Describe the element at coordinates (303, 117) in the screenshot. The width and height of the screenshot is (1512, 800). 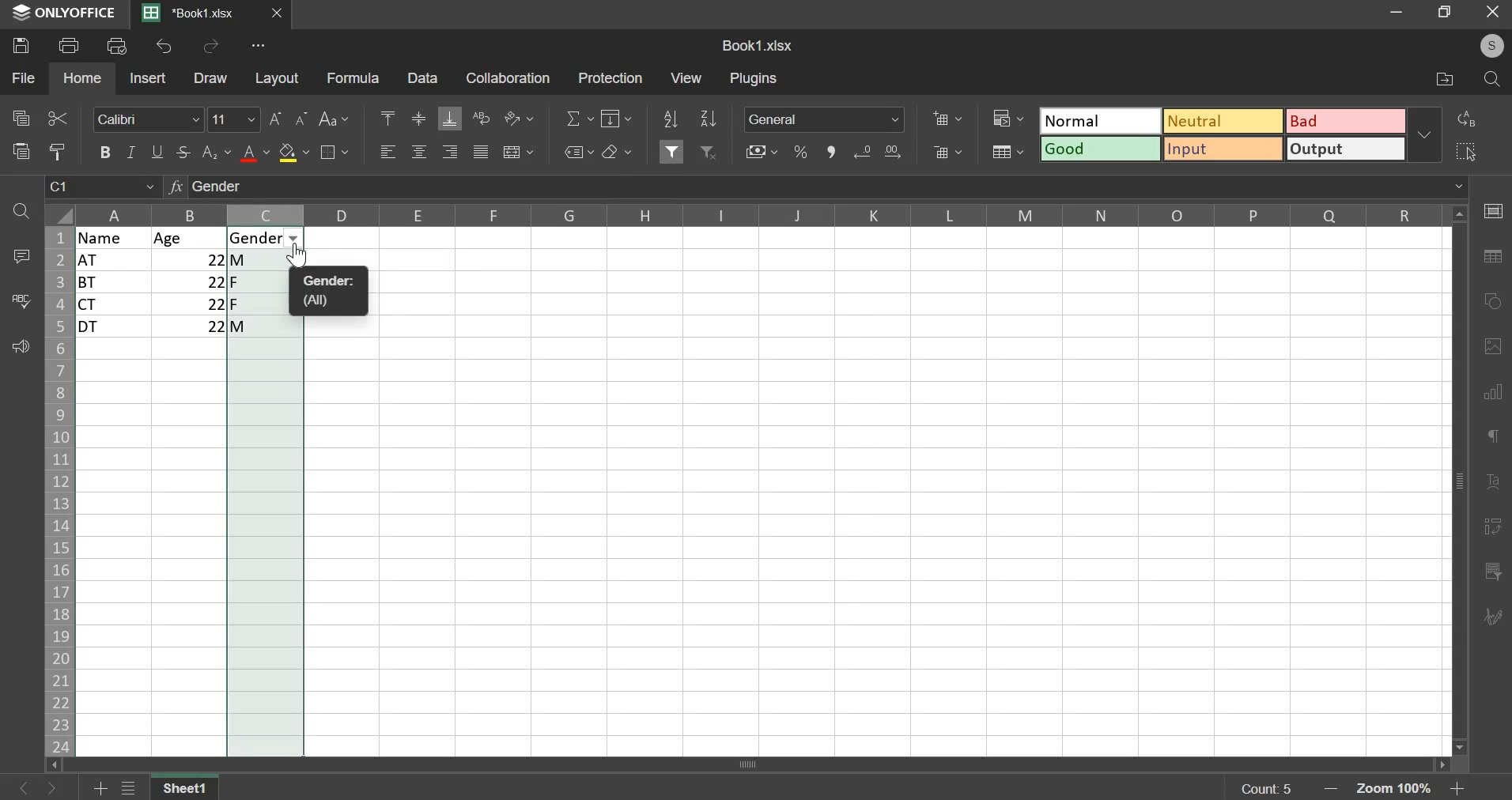
I see `font size decrease` at that location.